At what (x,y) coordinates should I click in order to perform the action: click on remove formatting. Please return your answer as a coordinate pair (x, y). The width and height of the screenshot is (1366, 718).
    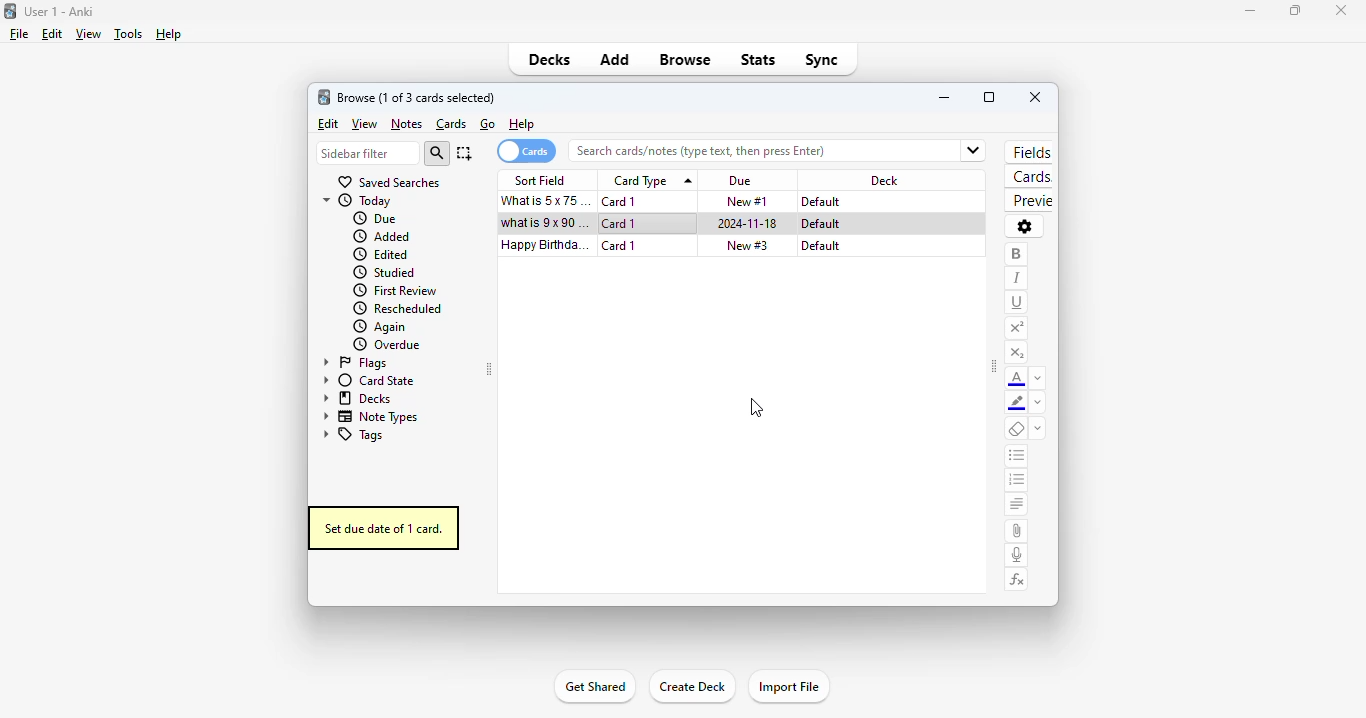
    Looking at the image, I should click on (1017, 429).